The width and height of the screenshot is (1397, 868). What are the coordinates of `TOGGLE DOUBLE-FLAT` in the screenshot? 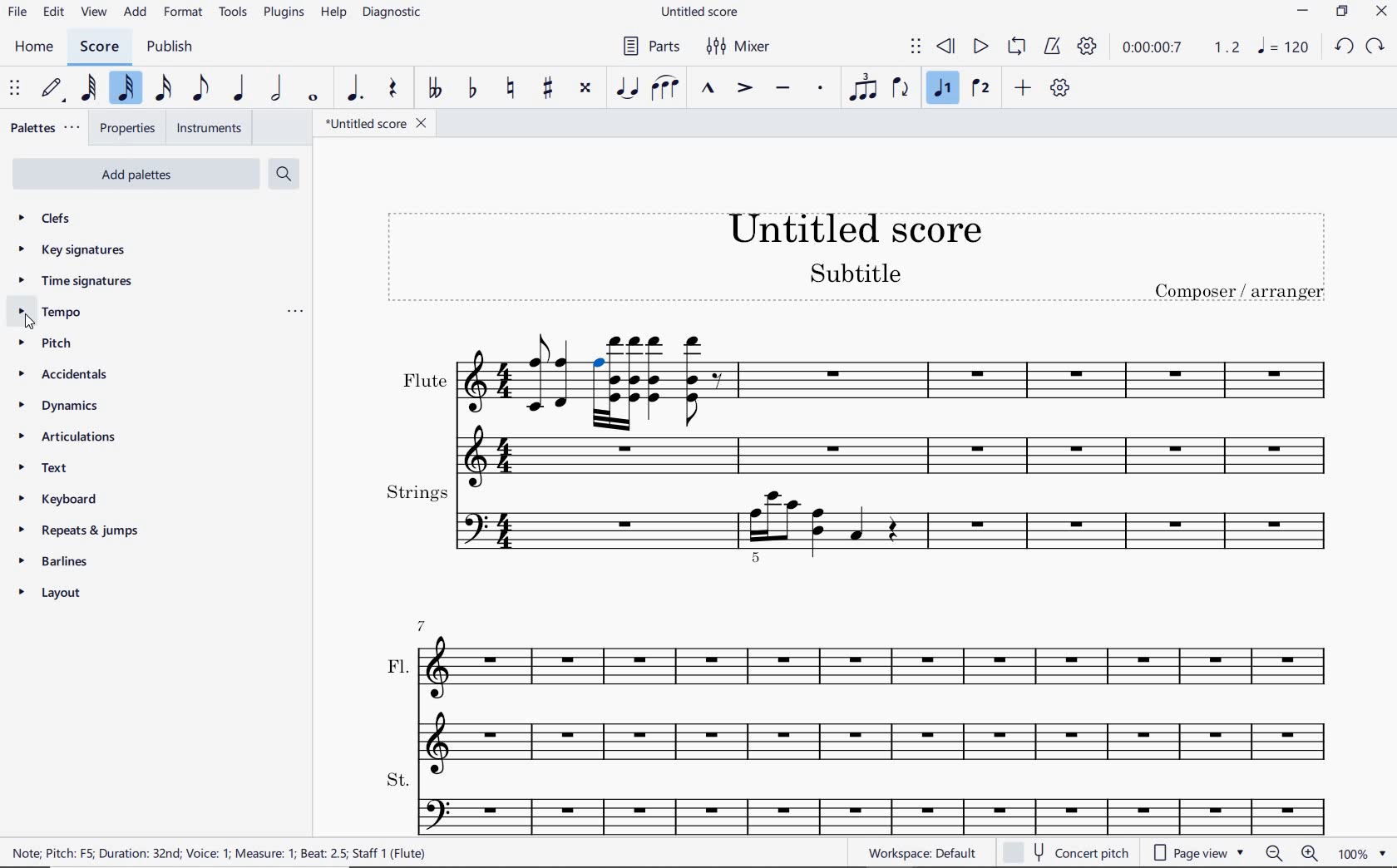 It's located at (434, 89).